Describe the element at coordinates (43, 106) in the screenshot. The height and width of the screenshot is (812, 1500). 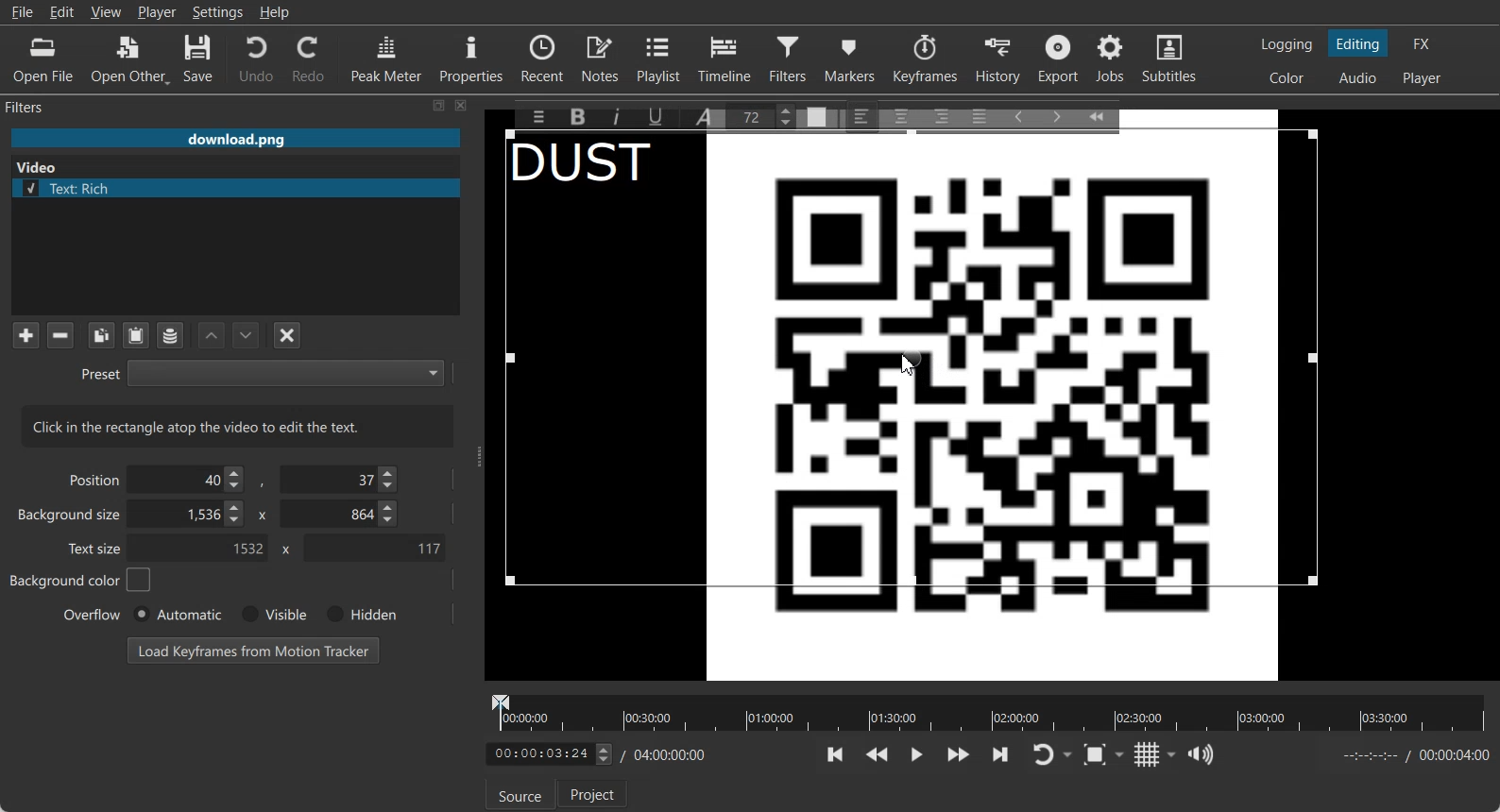
I see `Filters` at that location.